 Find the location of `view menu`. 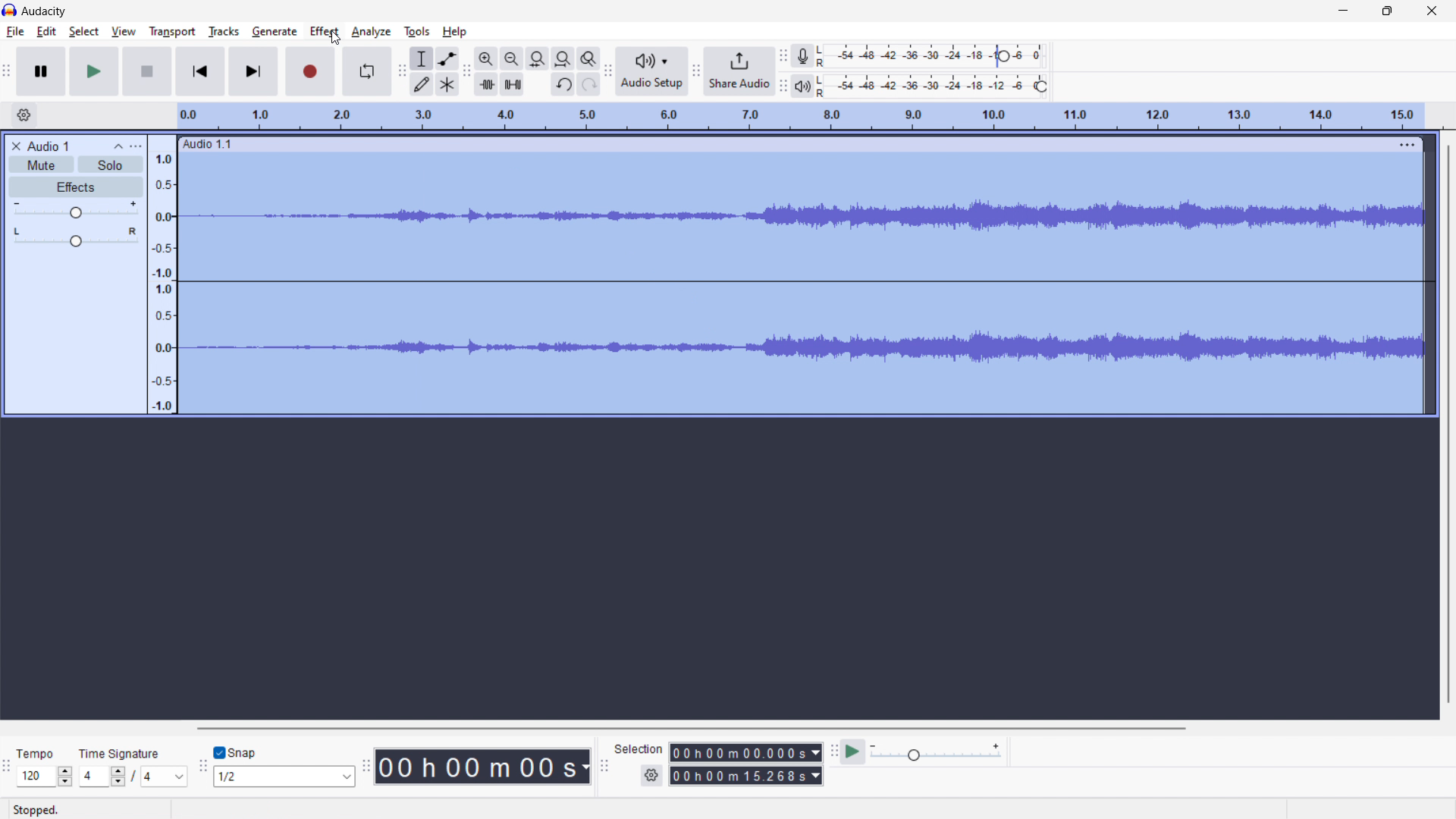

view menu is located at coordinates (137, 146).